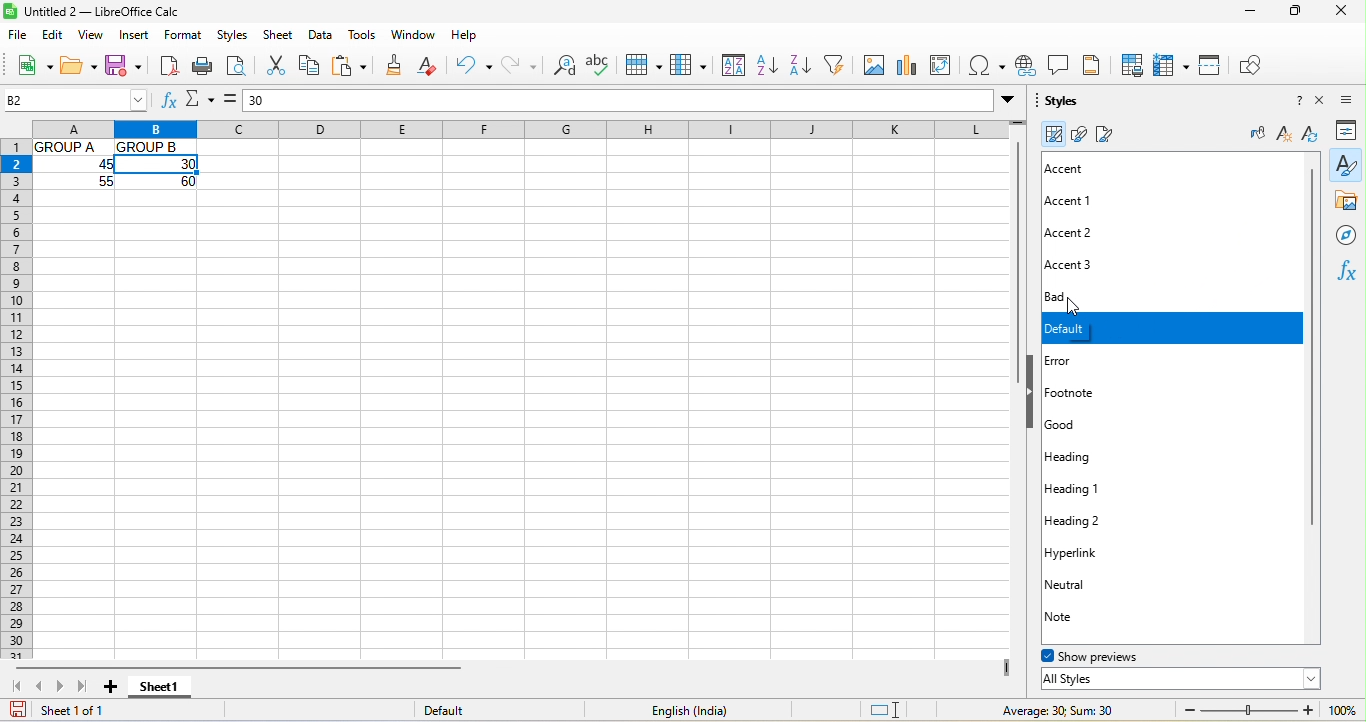 The width and height of the screenshot is (1366, 722). What do you see at coordinates (688, 65) in the screenshot?
I see `column` at bounding box center [688, 65].